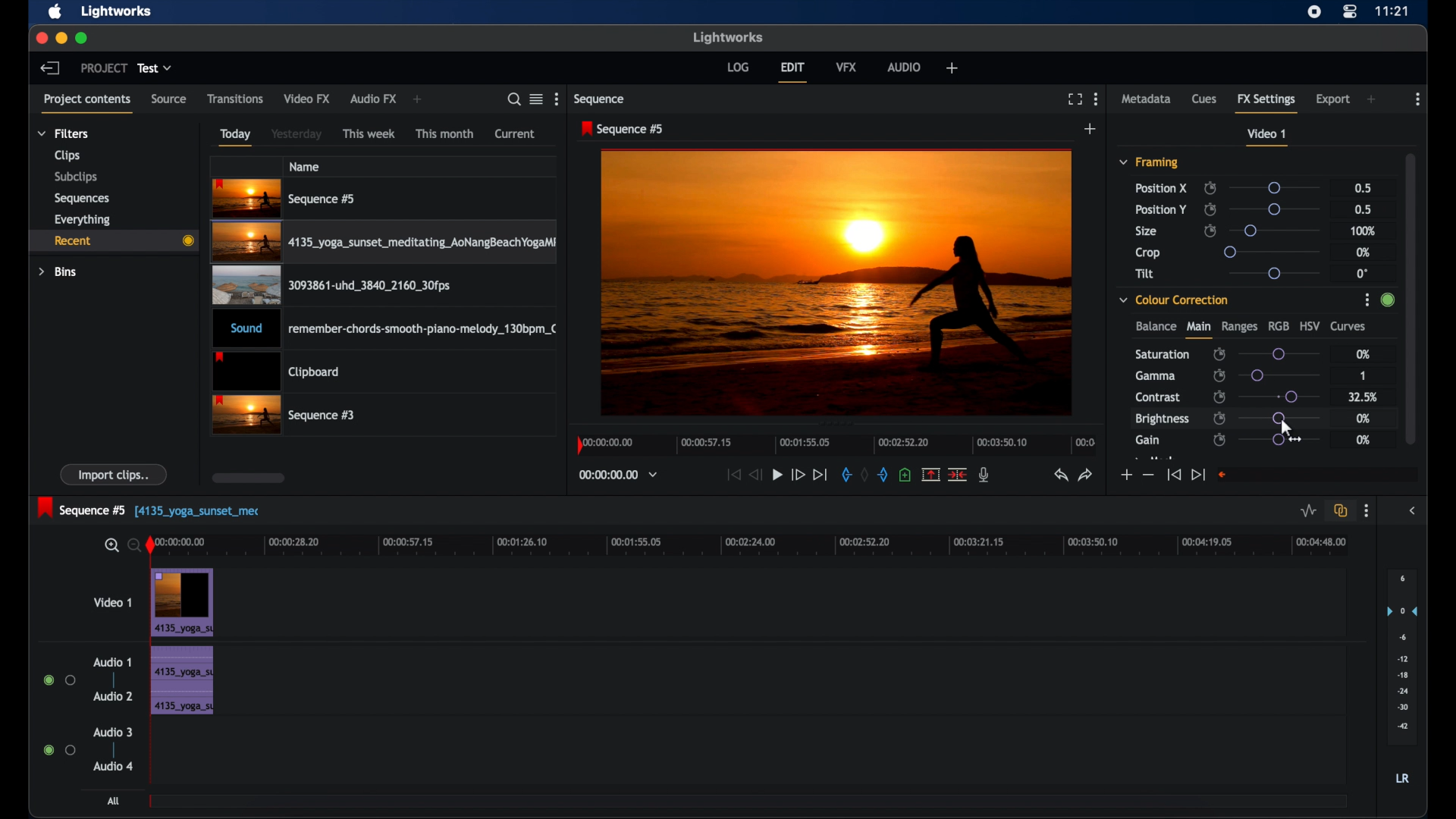  Describe the element at coordinates (149, 509) in the screenshot. I see `sequence 5` at that location.